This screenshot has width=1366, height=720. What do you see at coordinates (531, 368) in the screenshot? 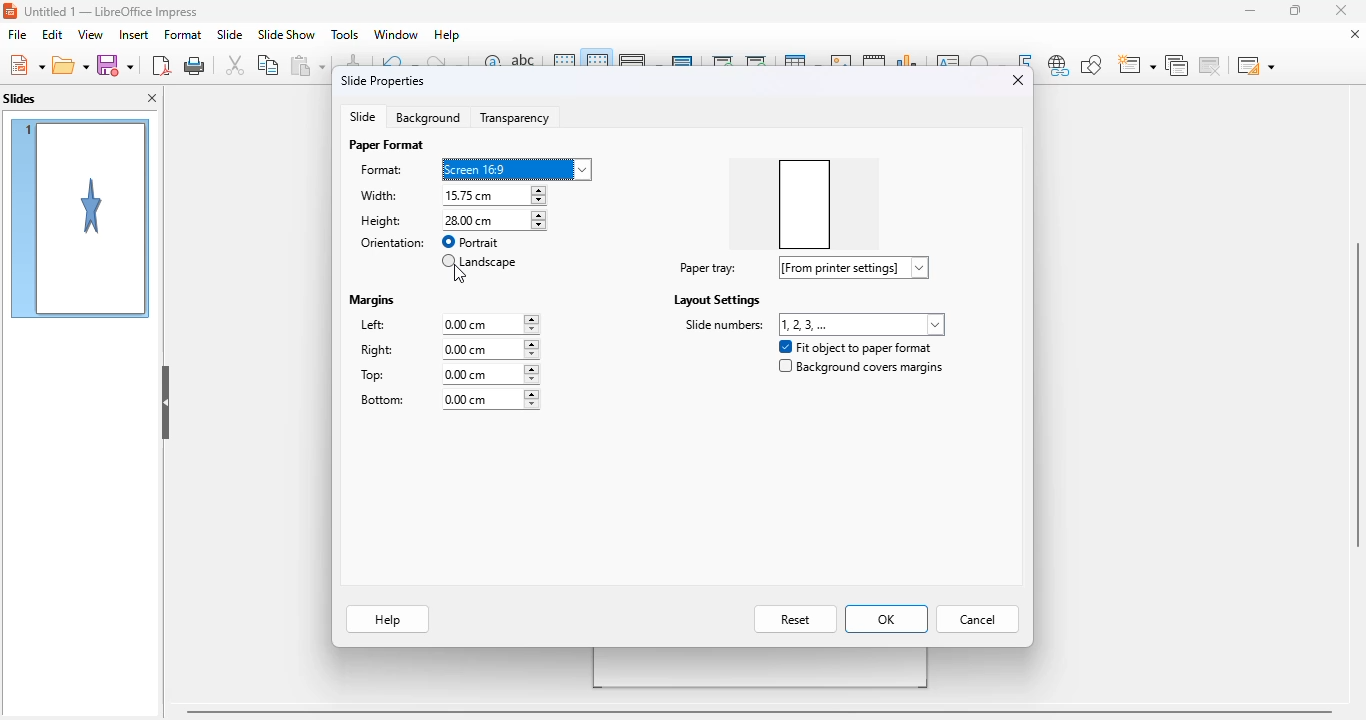
I see `increase top margin` at bounding box center [531, 368].